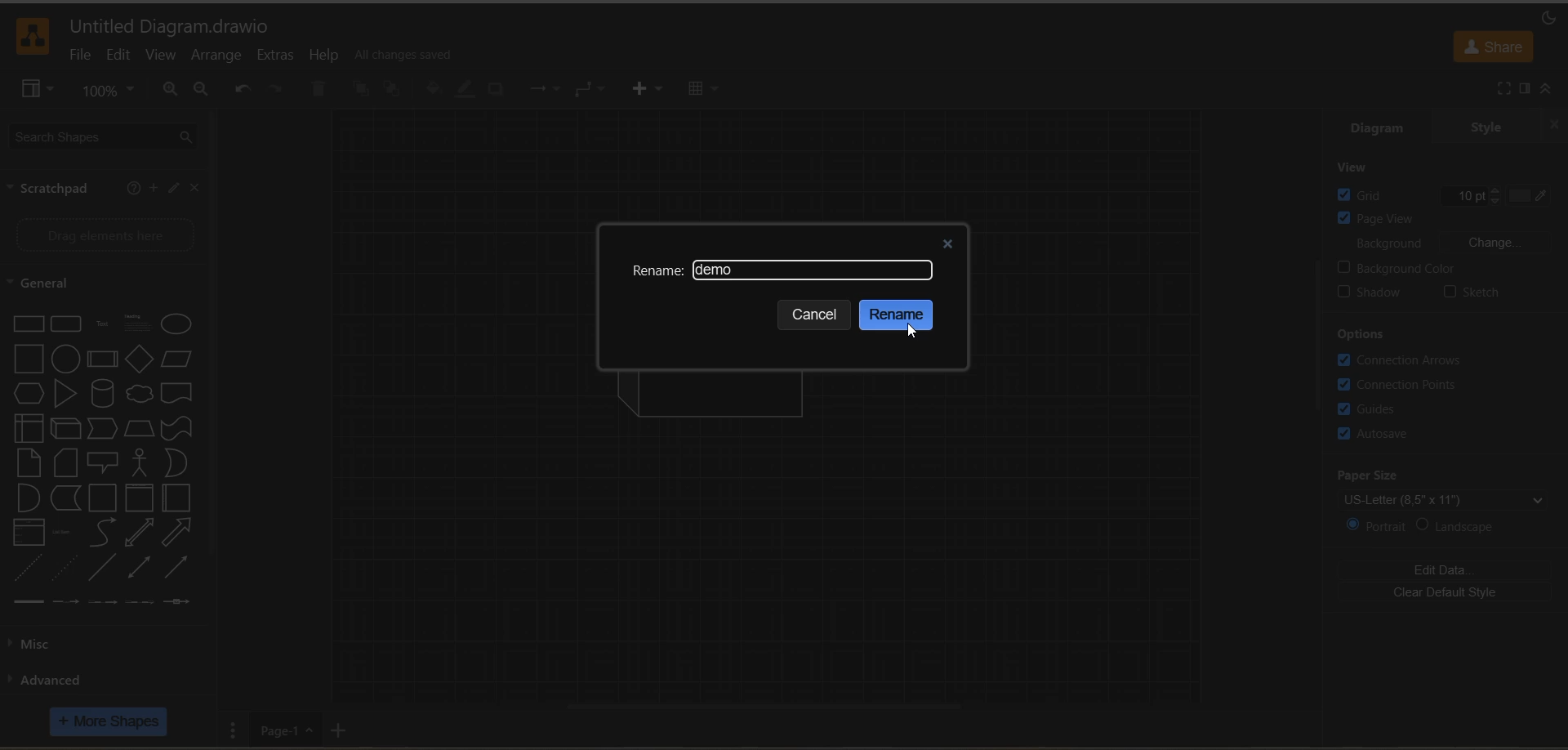 The image size is (1568, 750). What do you see at coordinates (704, 92) in the screenshot?
I see `table` at bounding box center [704, 92].